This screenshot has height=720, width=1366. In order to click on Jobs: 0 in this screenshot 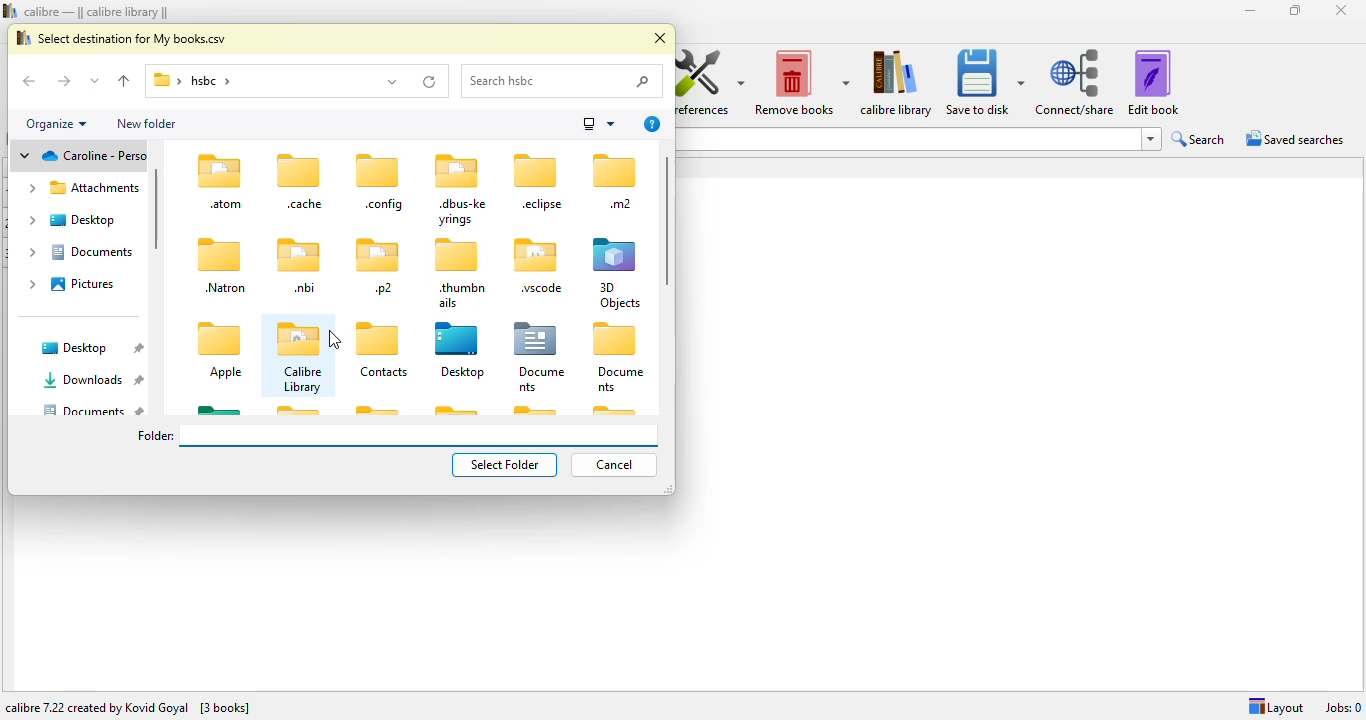, I will do `click(1343, 707)`.